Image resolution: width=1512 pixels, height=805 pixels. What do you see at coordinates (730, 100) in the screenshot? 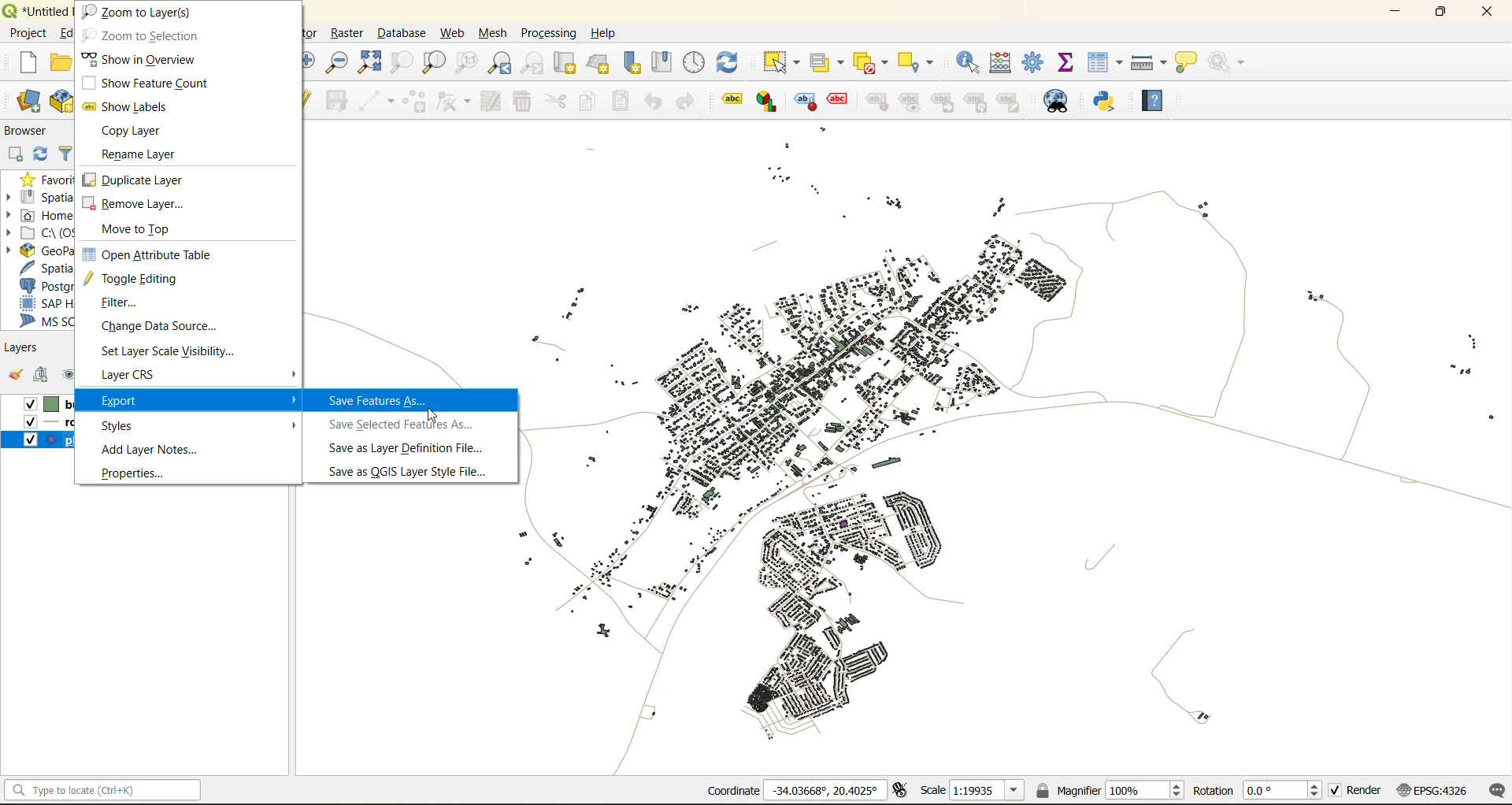
I see `layer labeling` at bounding box center [730, 100].